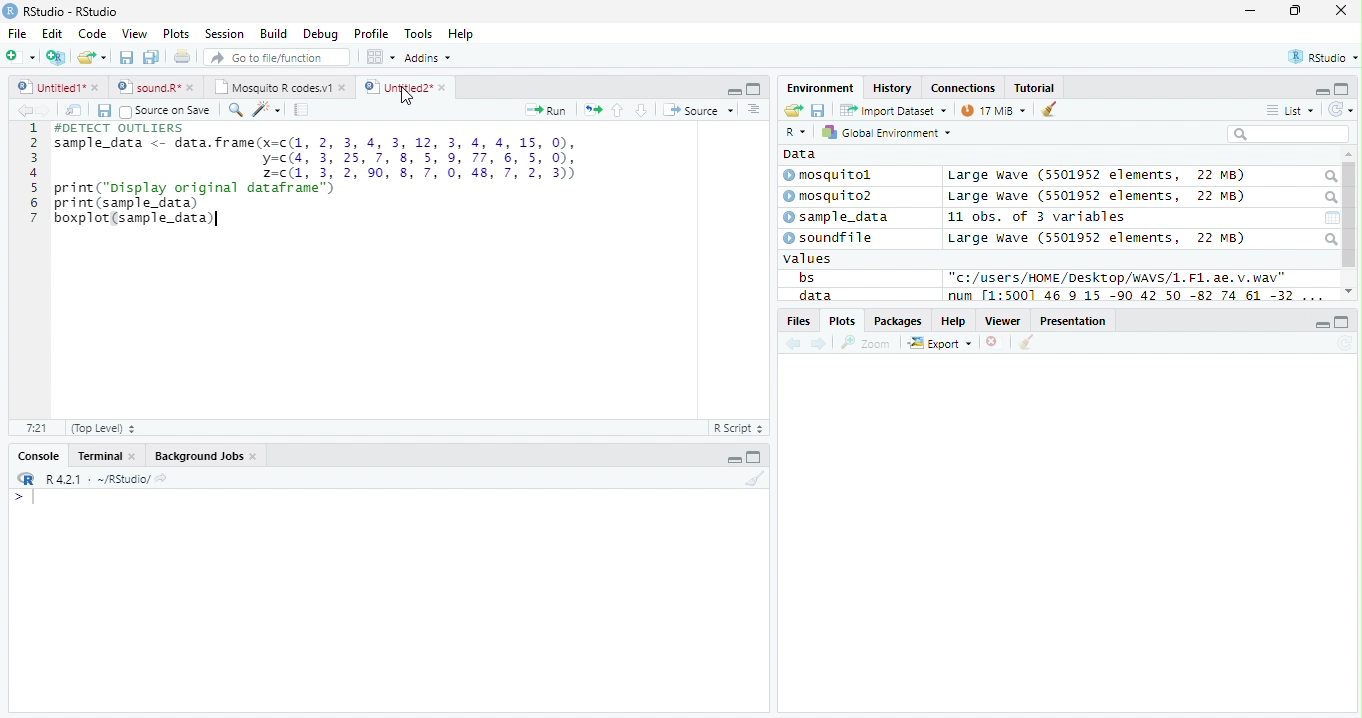 Image resolution: width=1362 pixels, height=718 pixels. What do you see at coordinates (204, 456) in the screenshot?
I see `Background Jobs` at bounding box center [204, 456].